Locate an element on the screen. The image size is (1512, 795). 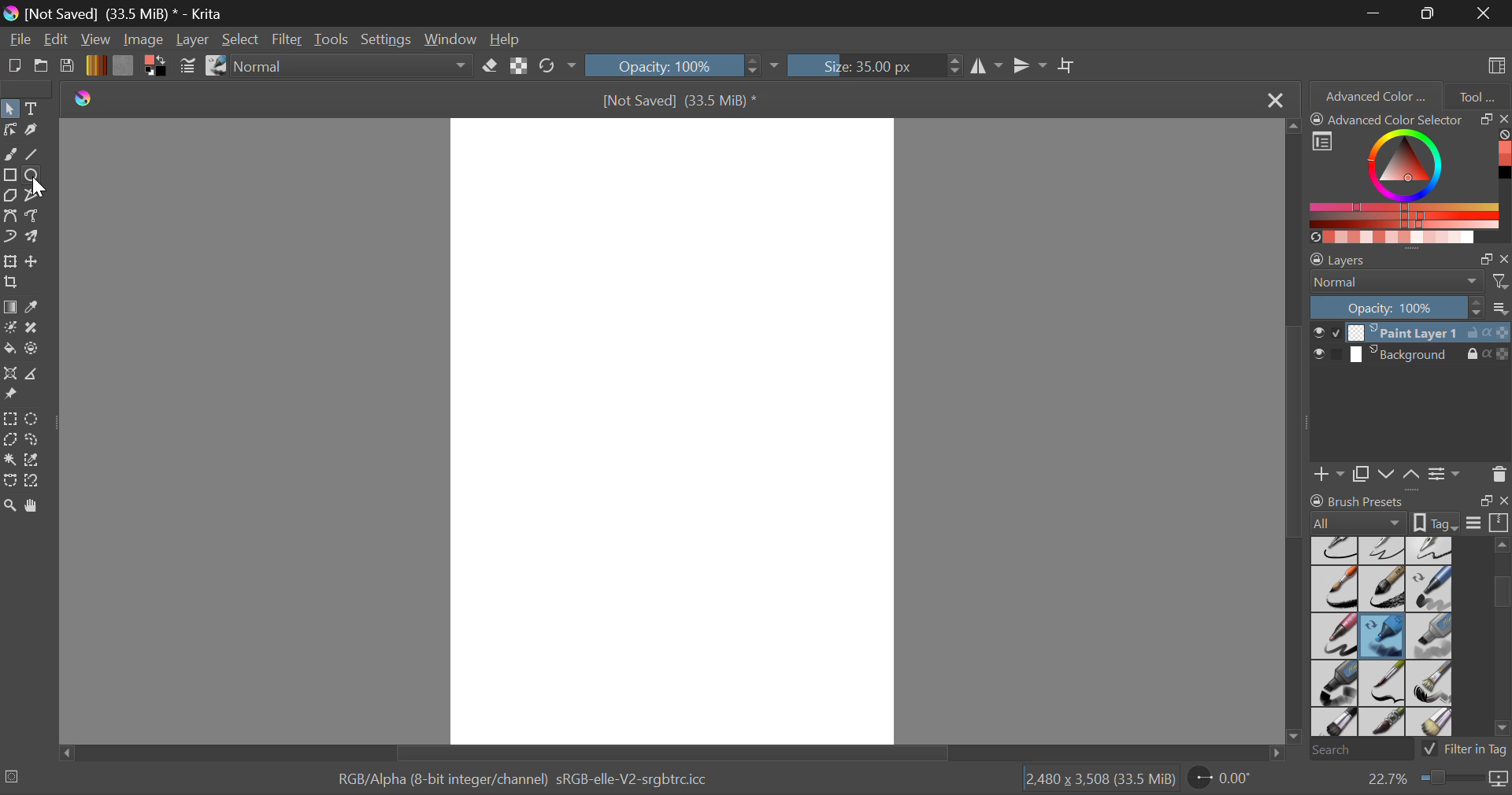
Reference Images is located at coordinates (13, 395).